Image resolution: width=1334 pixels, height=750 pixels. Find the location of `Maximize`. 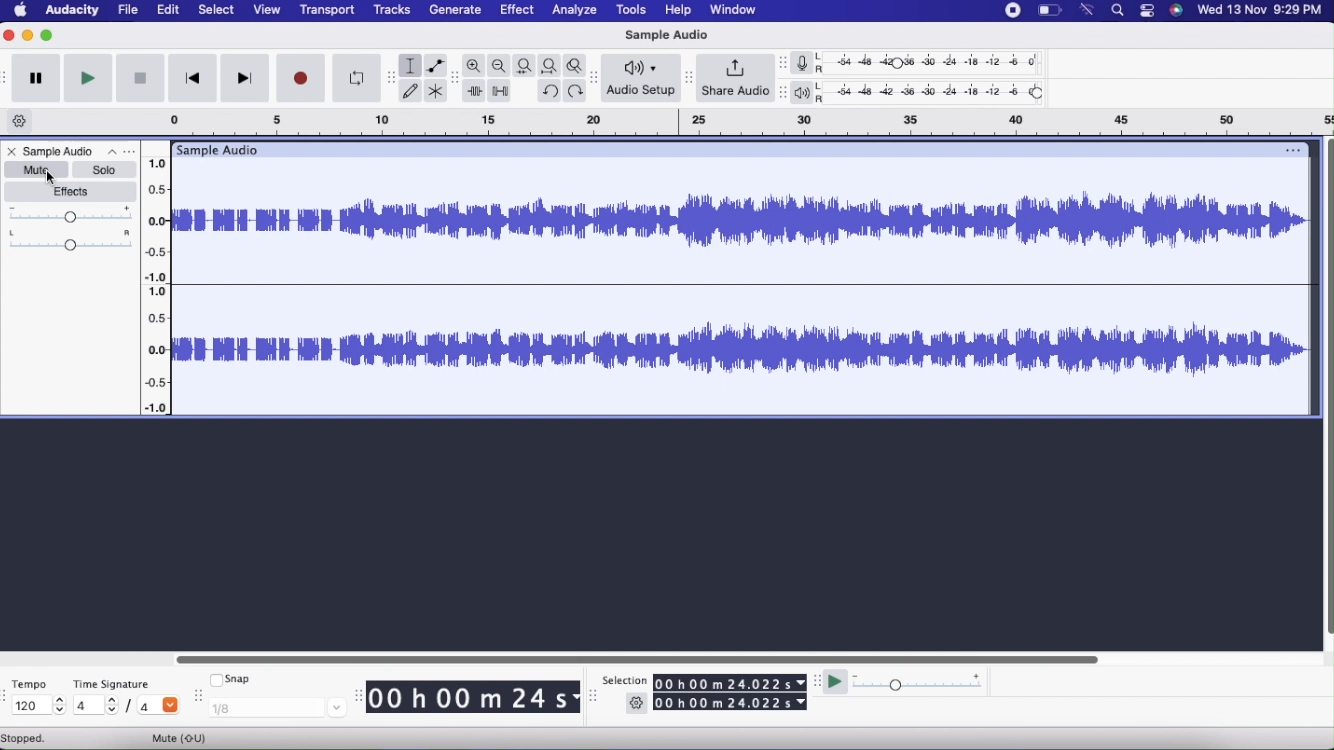

Maximize is located at coordinates (27, 36).